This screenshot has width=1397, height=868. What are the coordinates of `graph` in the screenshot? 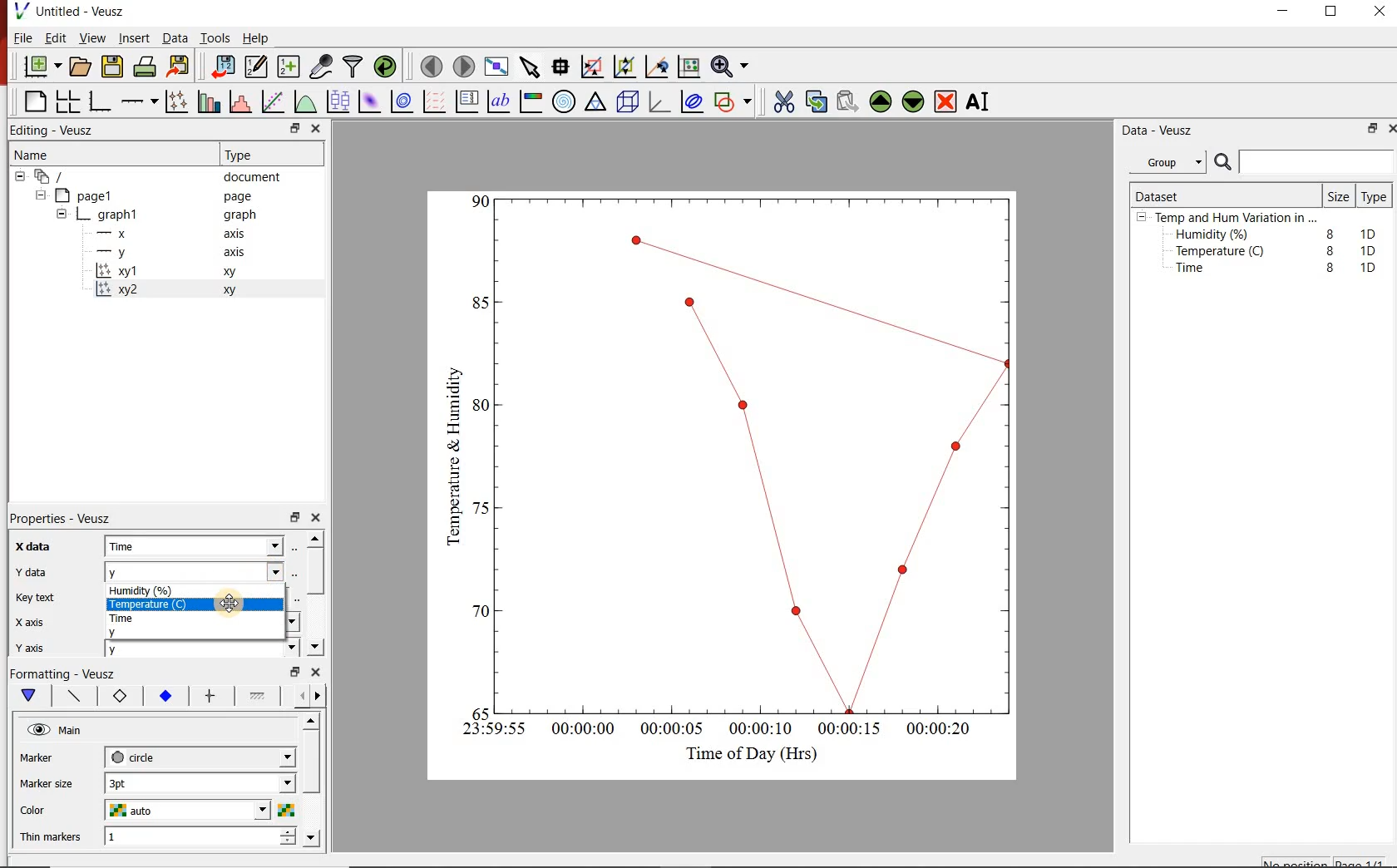 It's located at (239, 216).